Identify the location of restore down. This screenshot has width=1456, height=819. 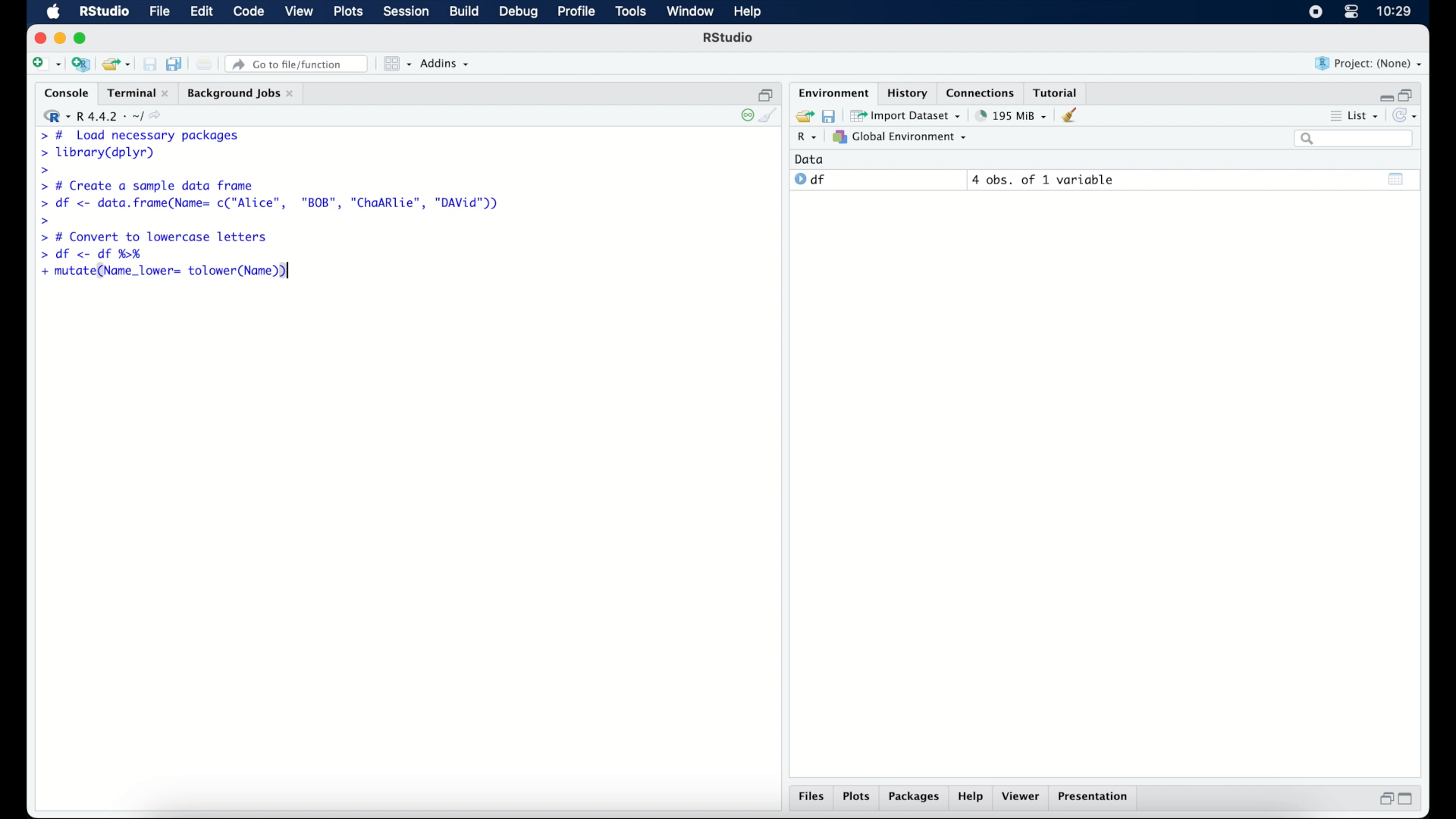
(766, 93).